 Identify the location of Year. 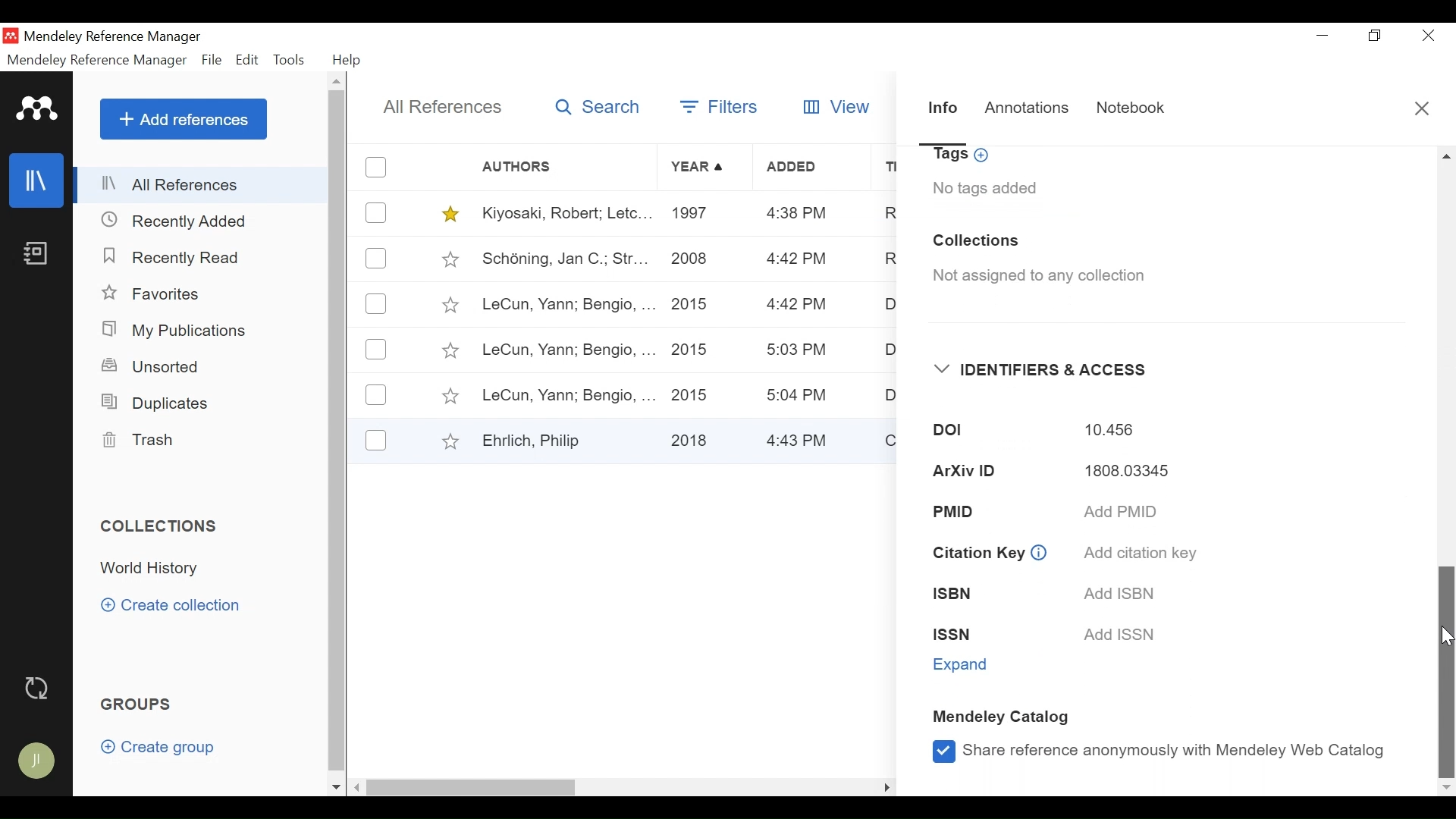
(700, 168).